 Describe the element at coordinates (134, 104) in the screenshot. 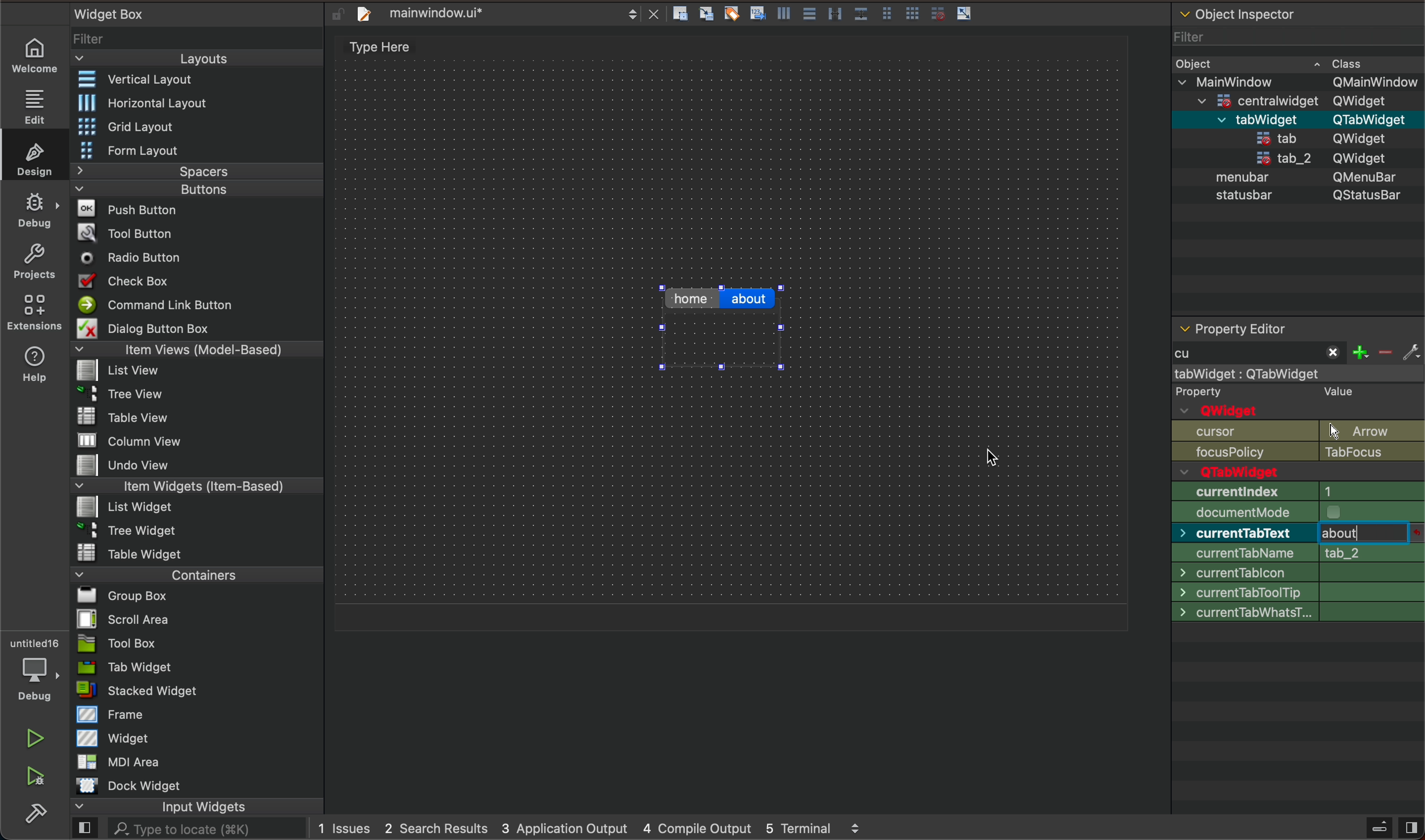

I see `Horizontal Layout` at that location.